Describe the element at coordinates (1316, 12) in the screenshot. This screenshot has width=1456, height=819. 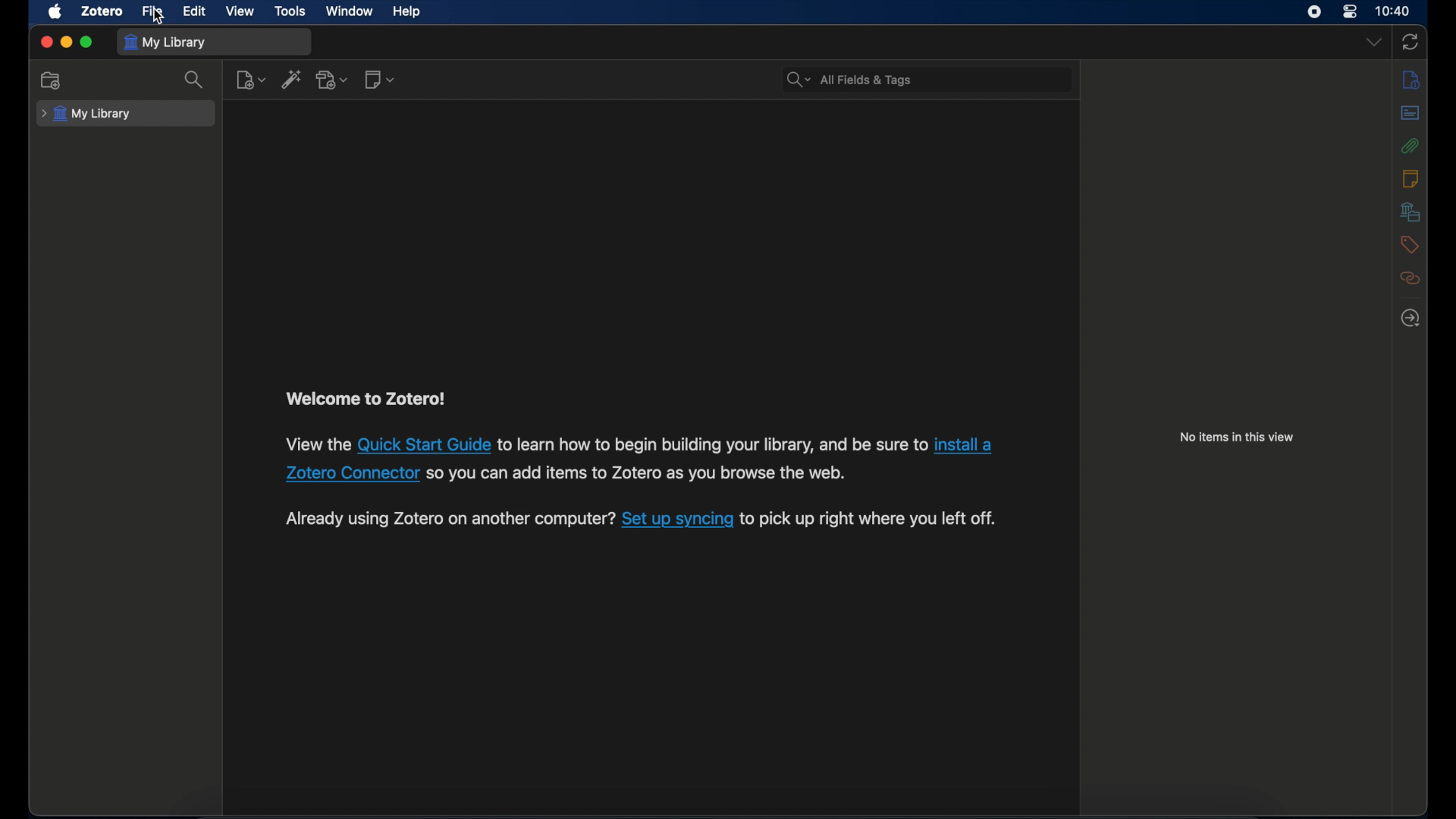
I see `screen recorder` at that location.